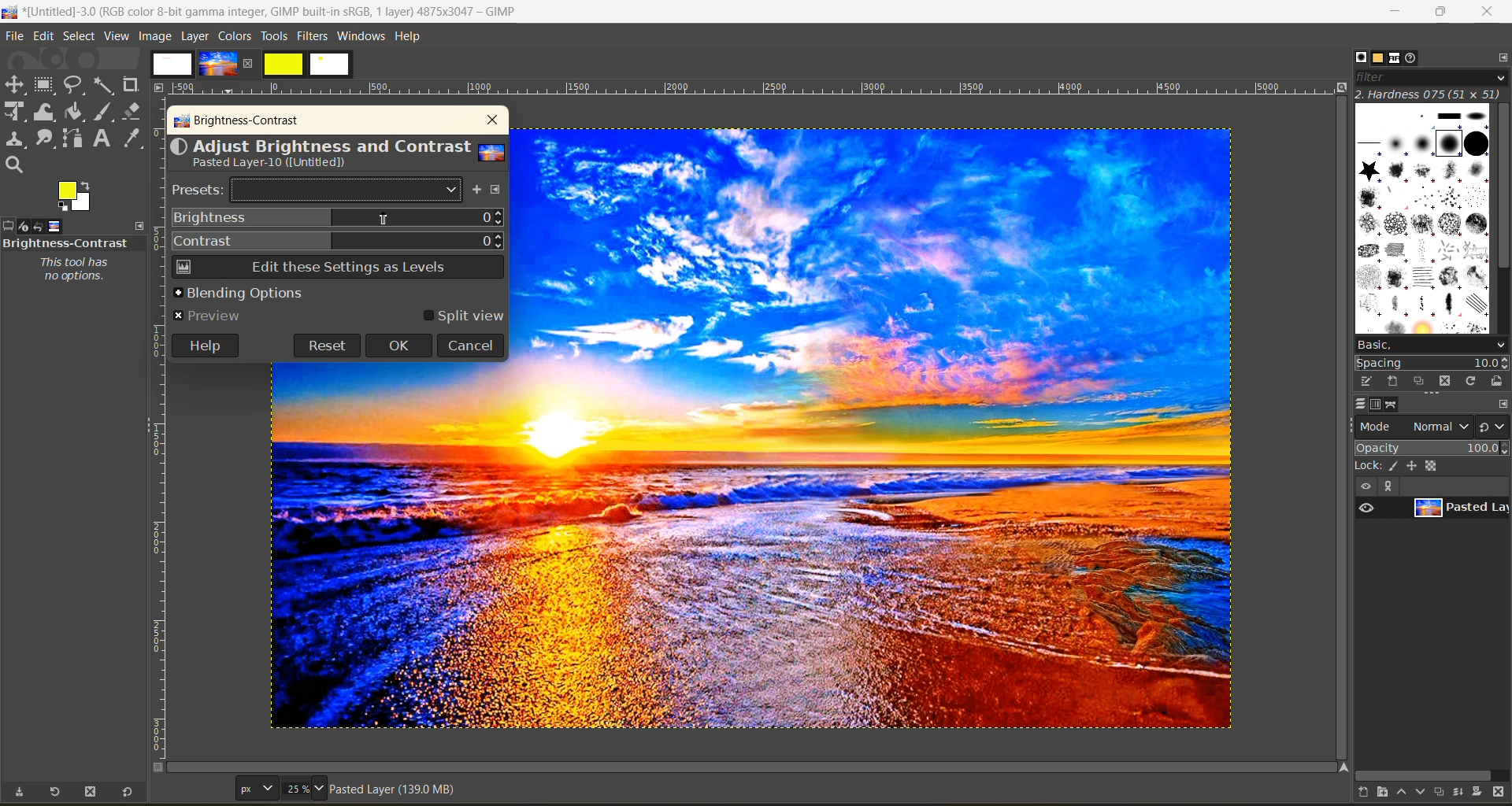 Image resolution: width=1512 pixels, height=806 pixels. What do you see at coordinates (1499, 57) in the screenshot?
I see `configure` at bounding box center [1499, 57].